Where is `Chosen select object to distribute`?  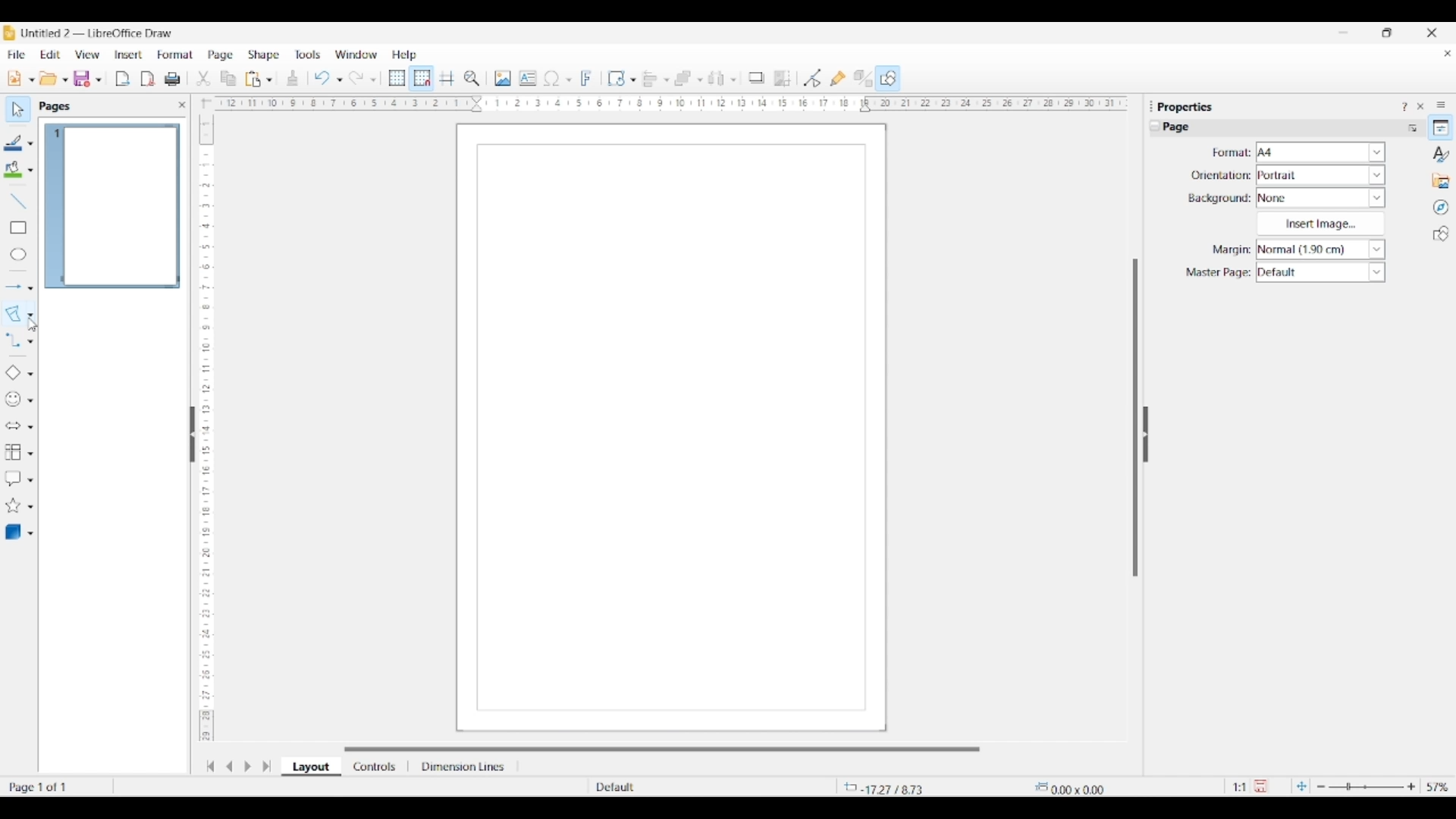
Chosen select object to distribute is located at coordinates (717, 78).